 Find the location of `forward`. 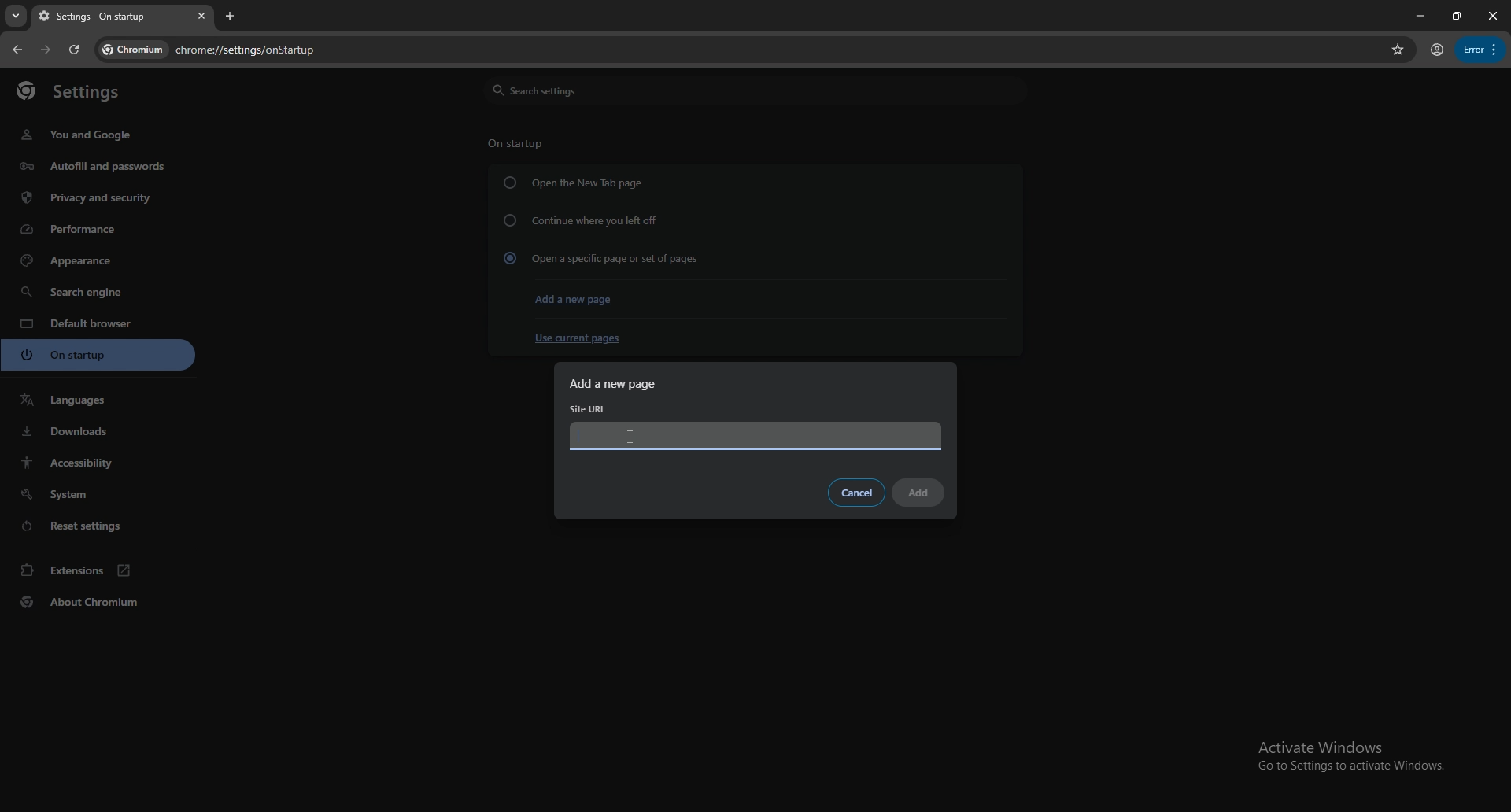

forward is located at coordinates (46, 50).